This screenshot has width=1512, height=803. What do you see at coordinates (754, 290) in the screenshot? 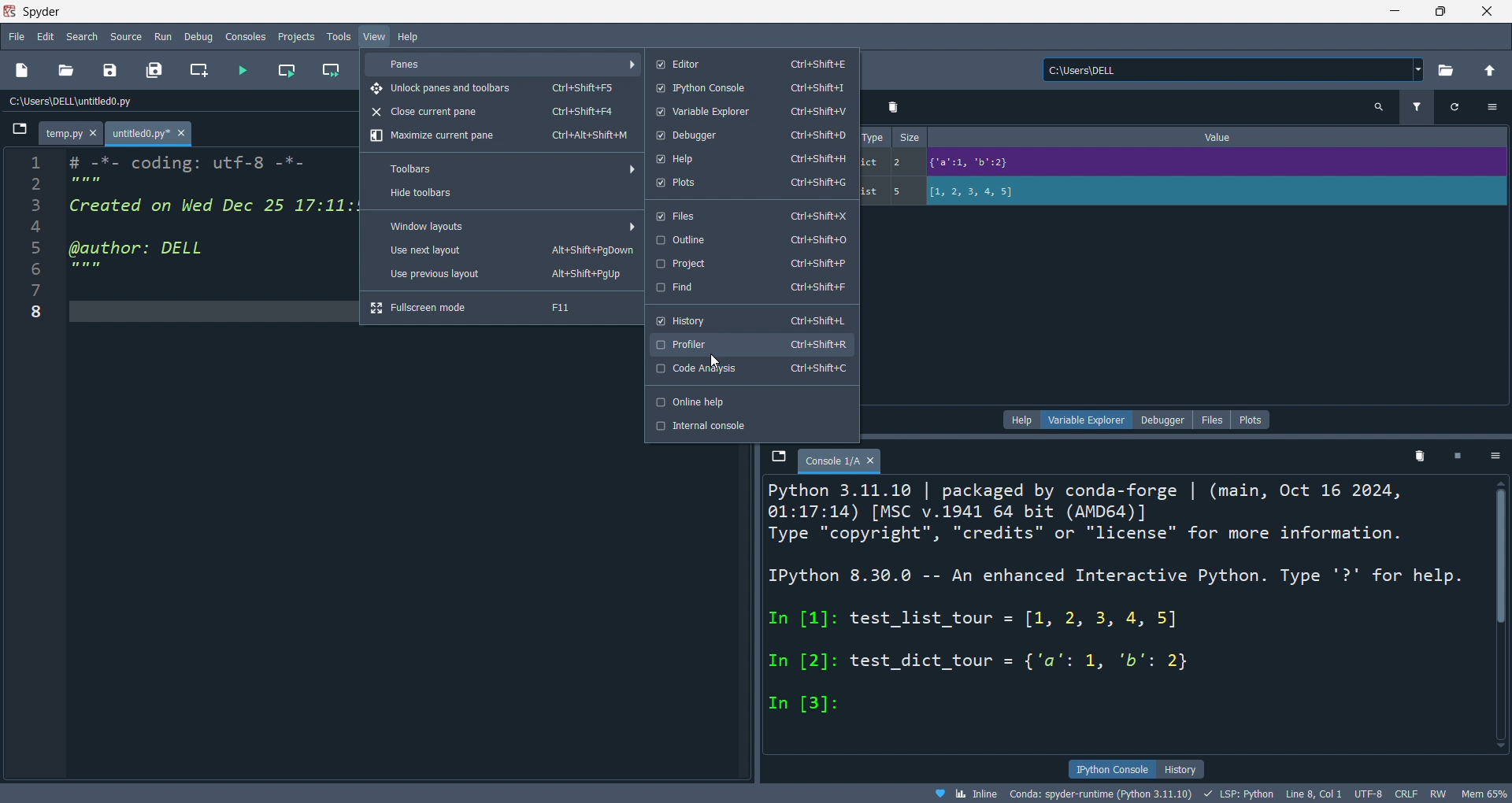
I see `find` at bounding box center [754, 290].